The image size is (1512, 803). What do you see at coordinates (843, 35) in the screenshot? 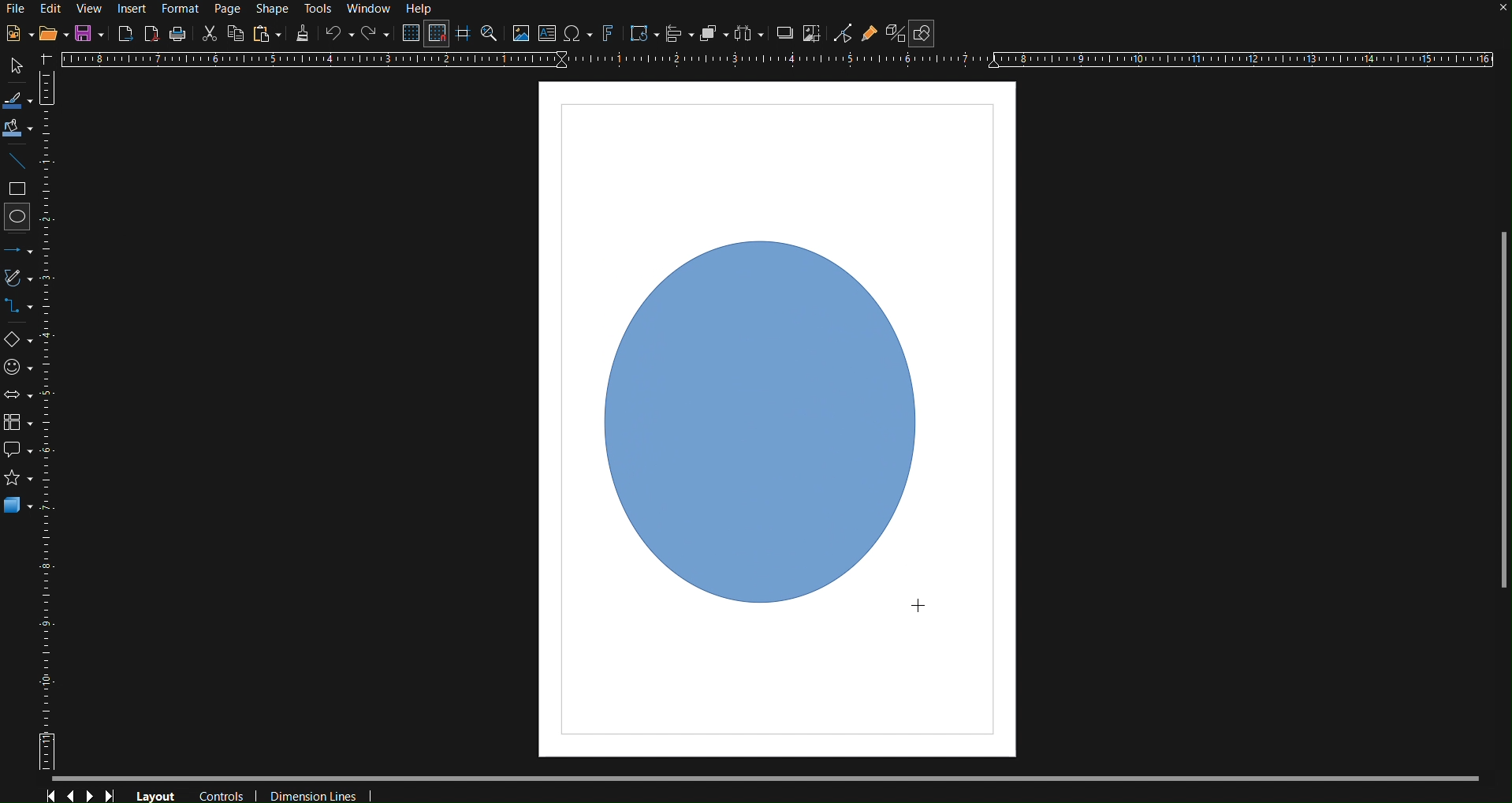
I see `Toggle Point Edit Mode` at bounding box center [843, 35].